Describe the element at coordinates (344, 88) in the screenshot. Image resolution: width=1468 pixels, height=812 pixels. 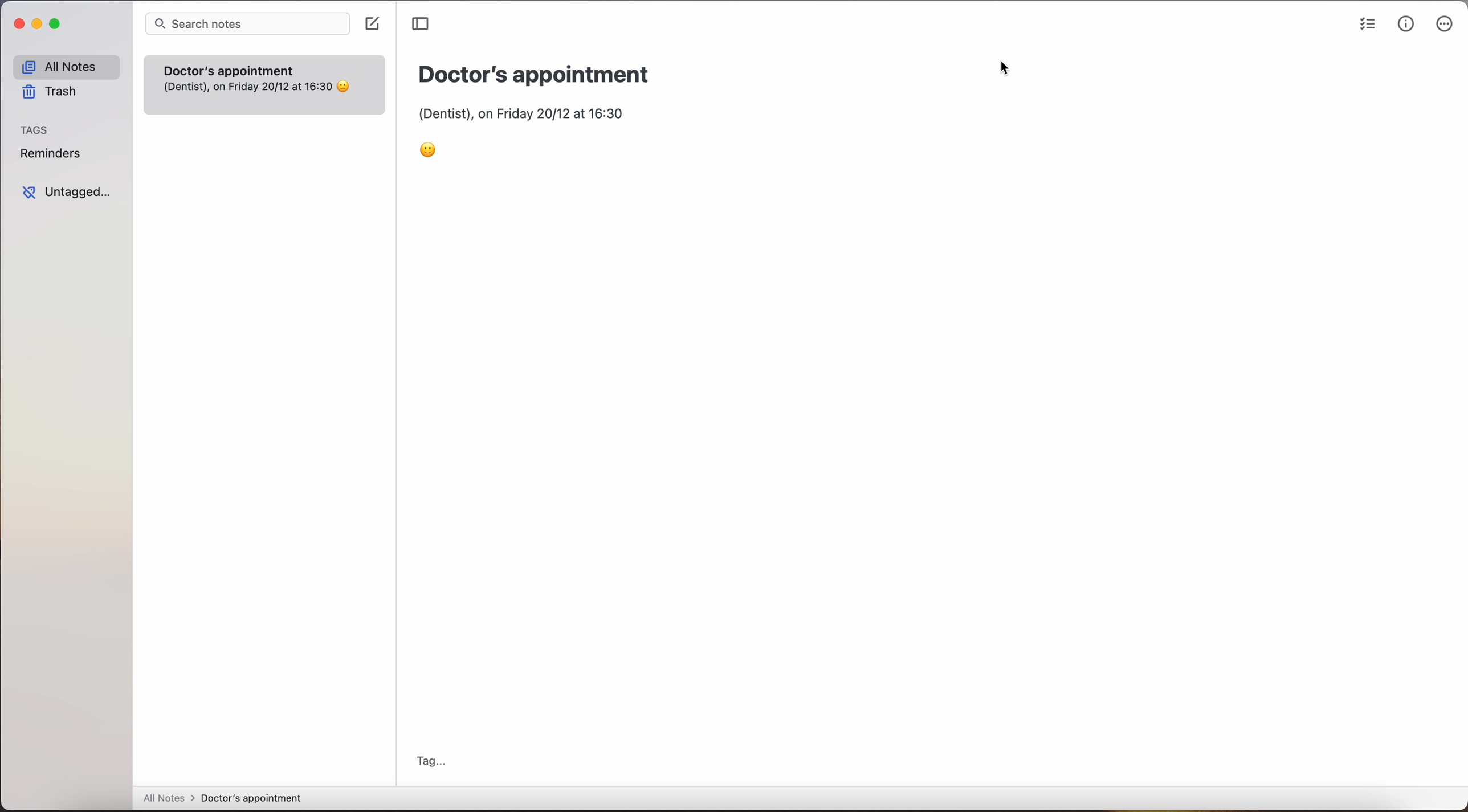
I see `emoji smile` at that location.